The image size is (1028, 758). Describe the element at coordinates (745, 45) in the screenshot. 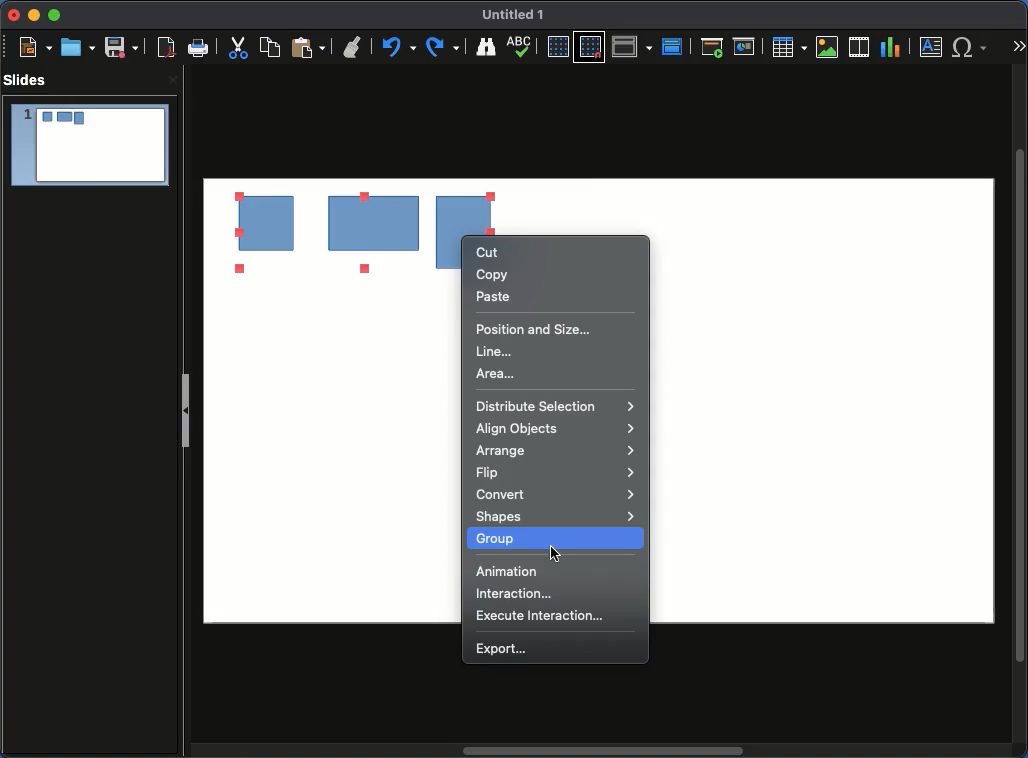

I see `Start from current slide` at that location.